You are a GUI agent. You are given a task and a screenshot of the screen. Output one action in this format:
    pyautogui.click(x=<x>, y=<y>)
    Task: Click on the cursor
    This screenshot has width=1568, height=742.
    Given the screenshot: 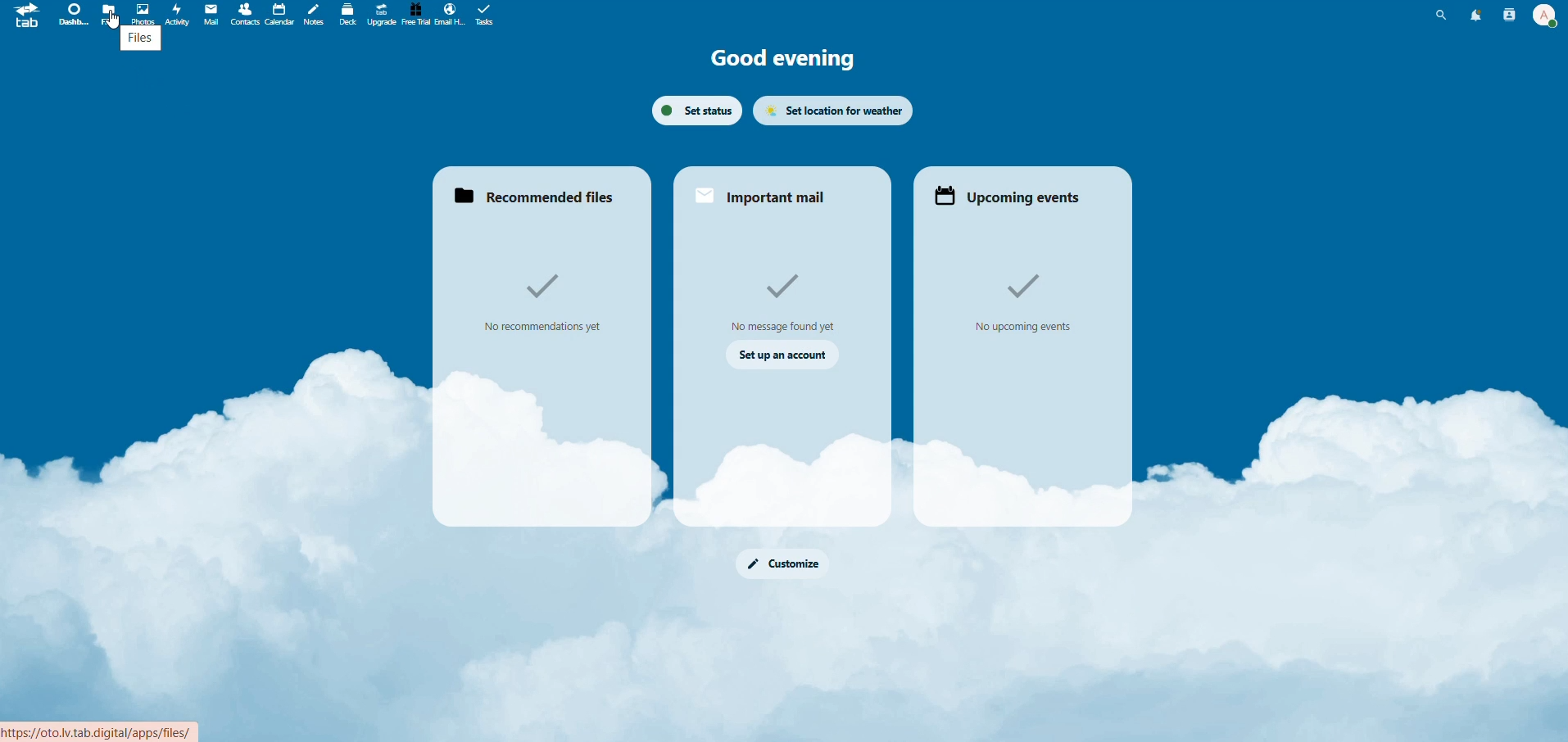 What is the action you would take?
    pyautogui.click(x=111, y=22)
    